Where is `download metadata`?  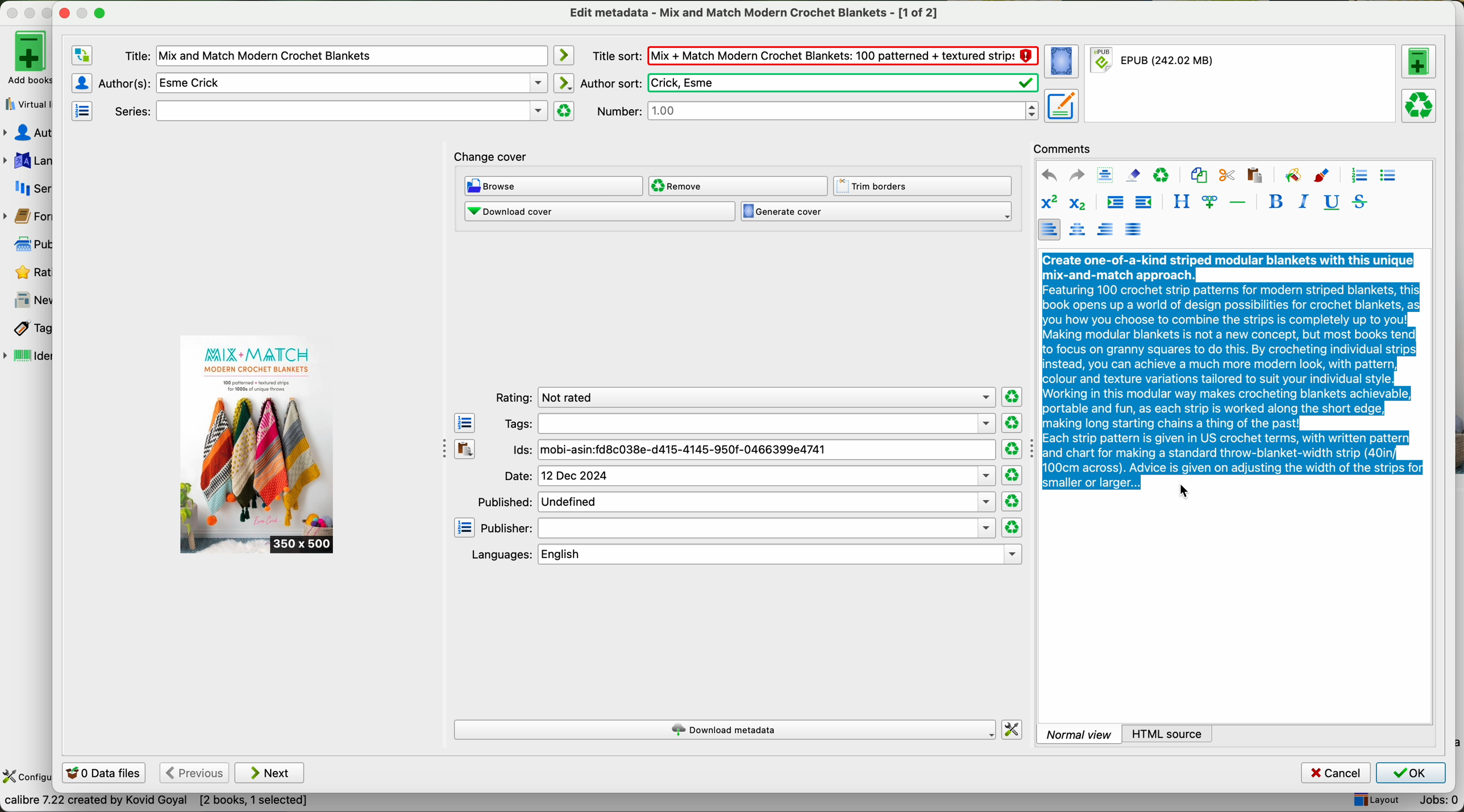 download metadata is located at coordinates (726, 731).